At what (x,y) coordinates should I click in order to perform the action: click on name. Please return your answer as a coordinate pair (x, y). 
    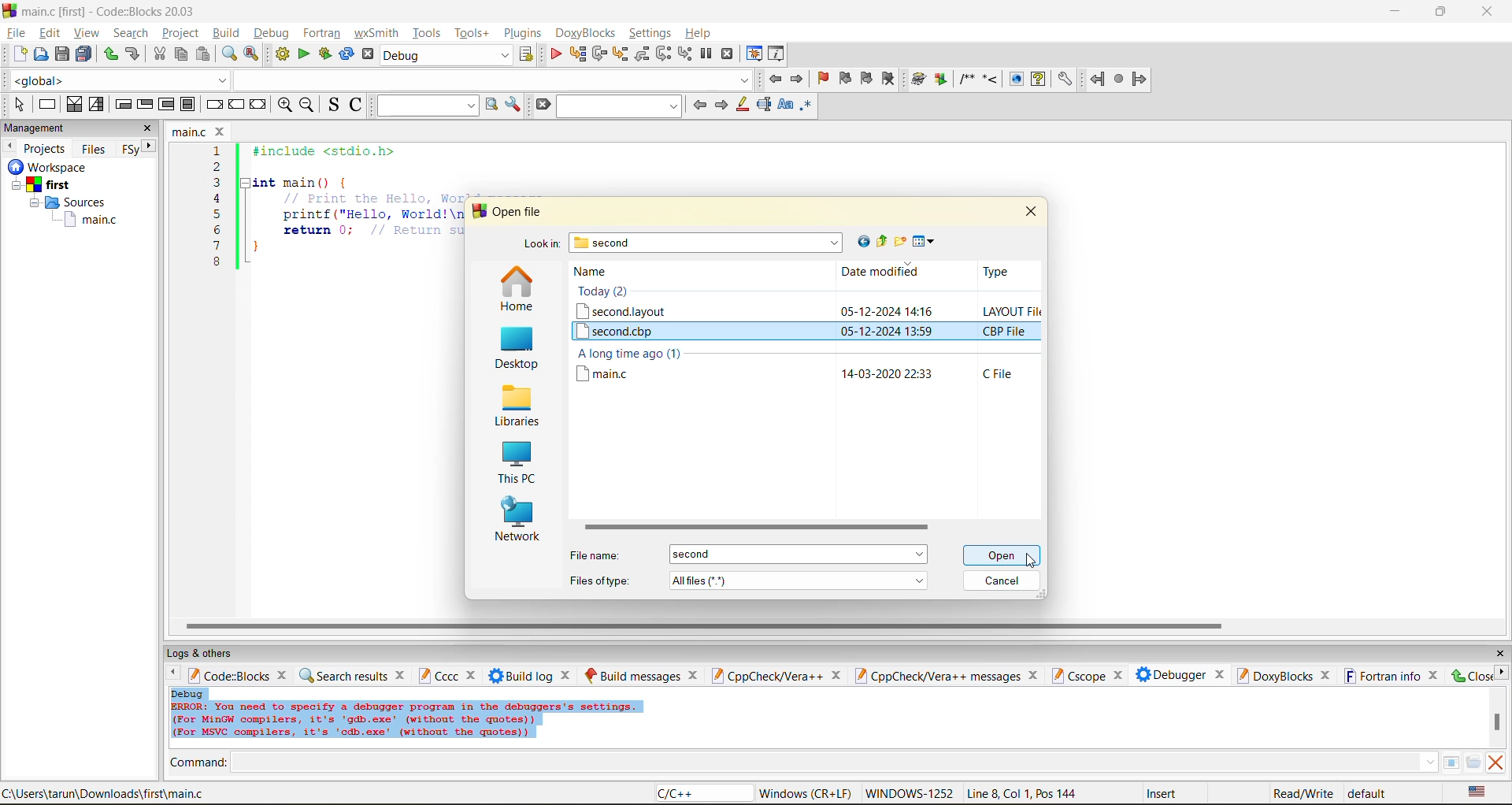
    Looking at the image, I should click on (598, 272).